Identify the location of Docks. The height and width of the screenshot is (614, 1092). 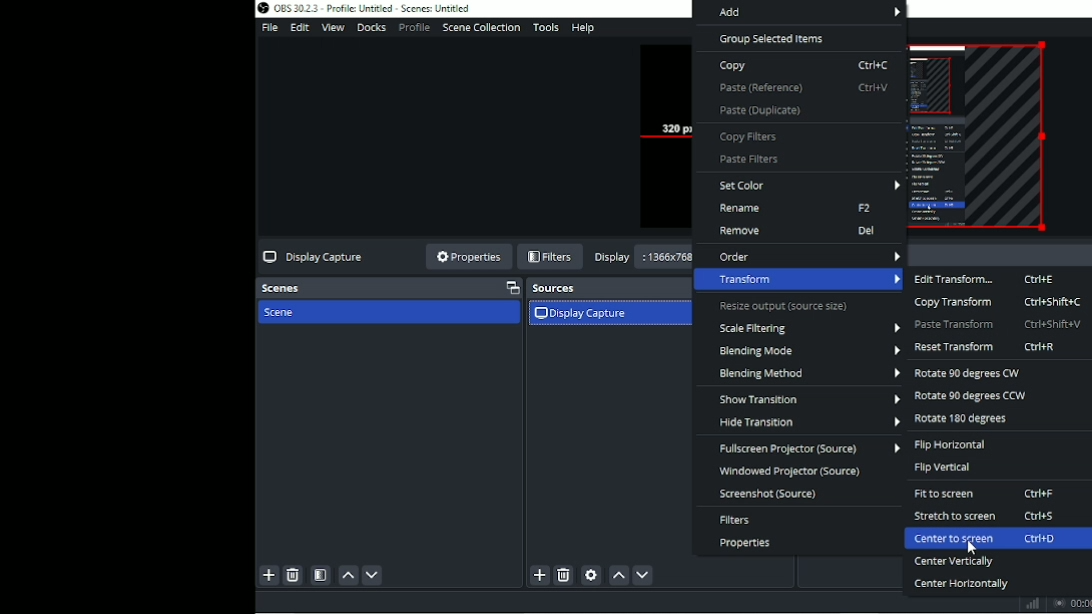
(370, 28).